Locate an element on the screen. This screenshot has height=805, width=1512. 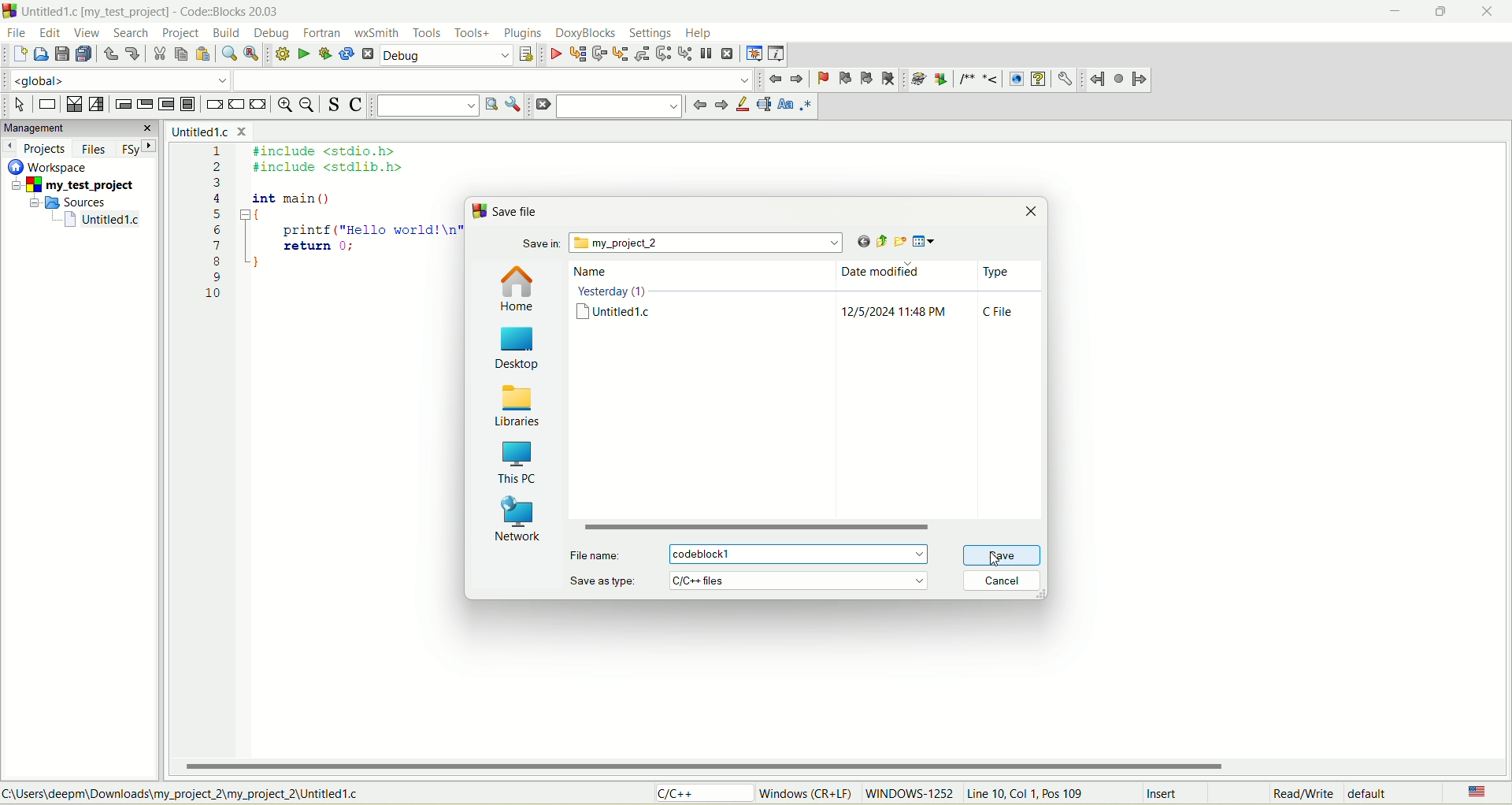
debug is located at coordinates (273, 33).